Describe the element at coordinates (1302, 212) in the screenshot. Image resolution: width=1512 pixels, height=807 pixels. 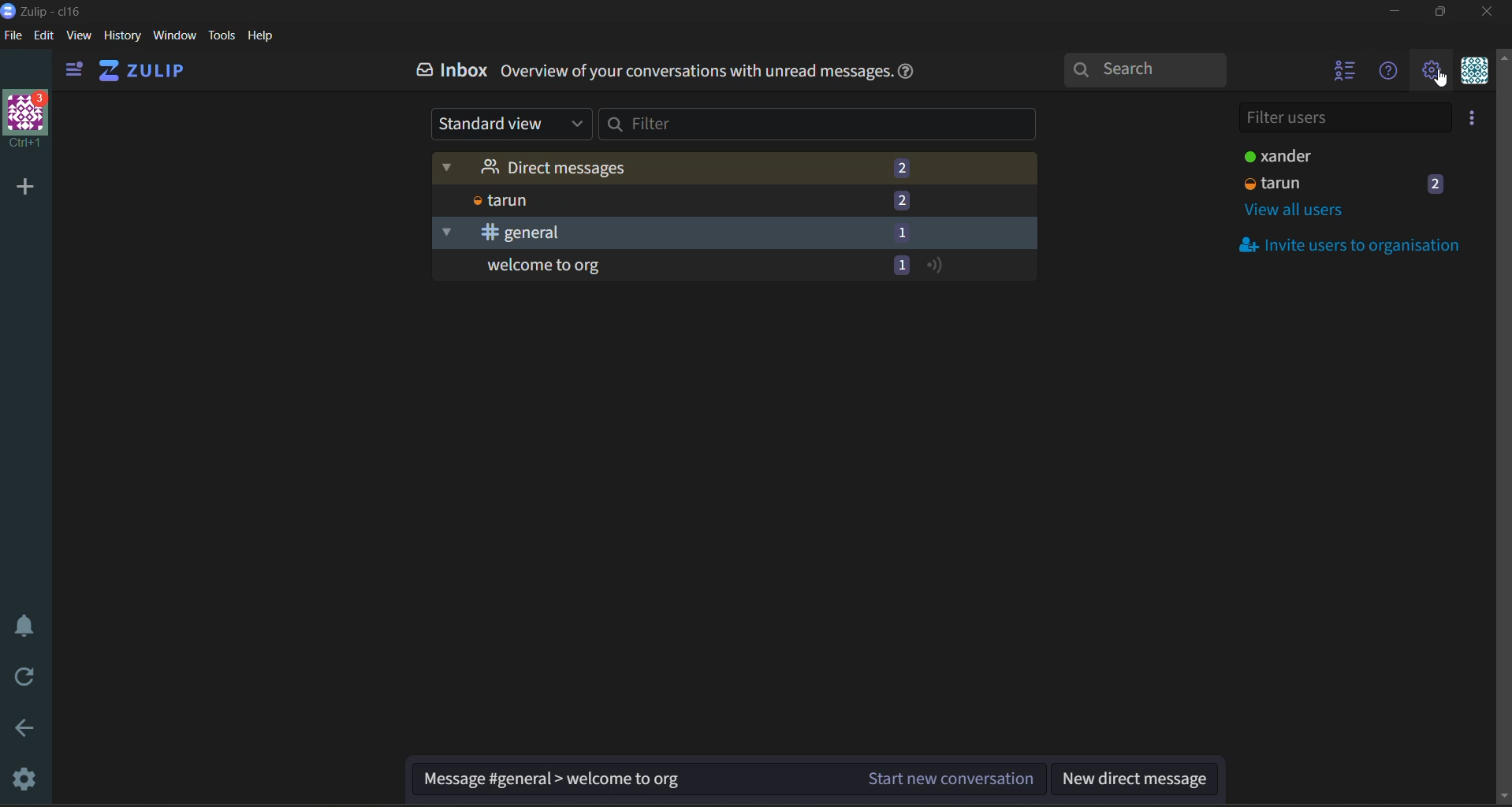
I see `view all users` at that location.